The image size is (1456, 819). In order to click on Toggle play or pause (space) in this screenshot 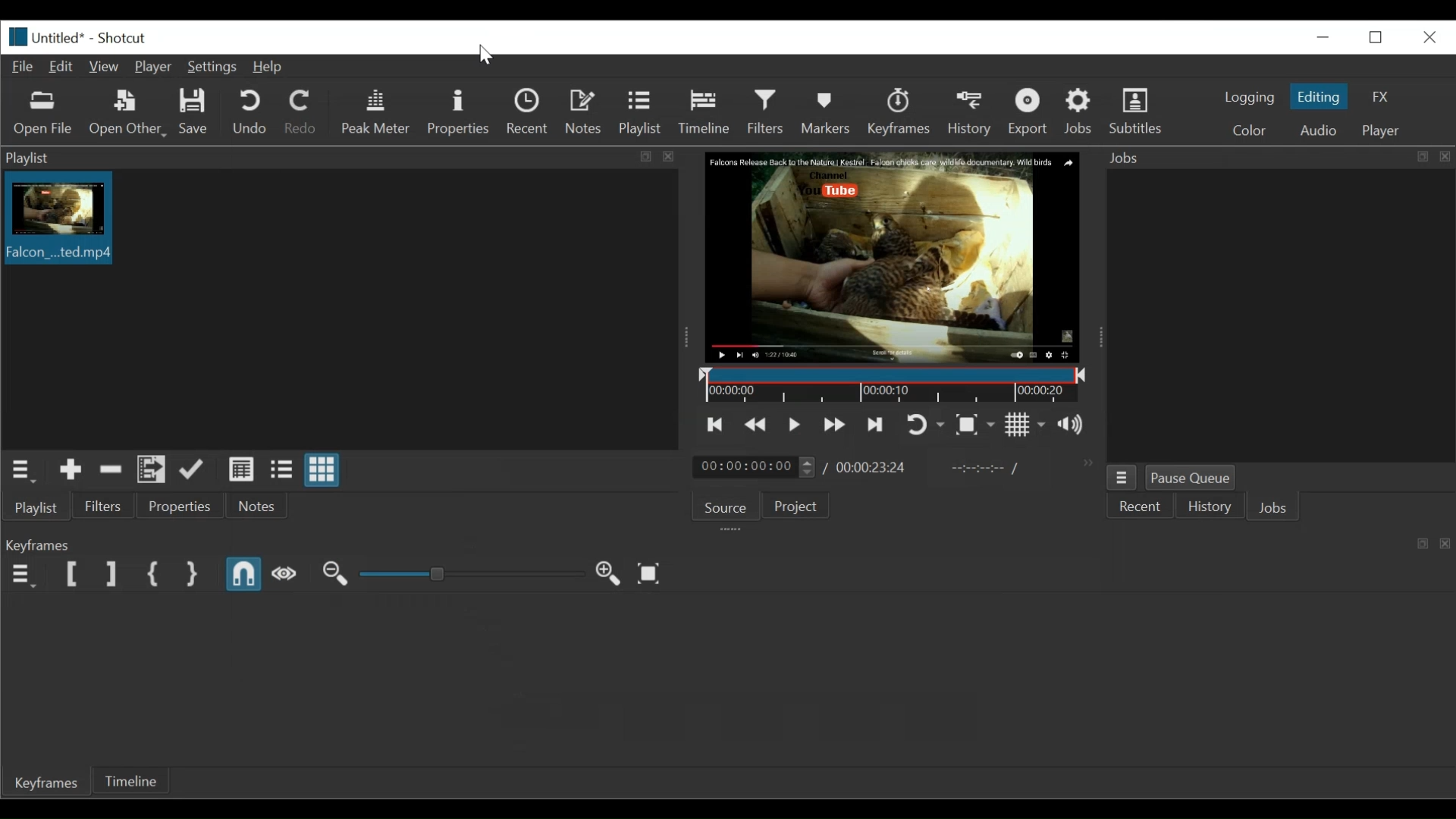, I will do `click(795, 423)`.